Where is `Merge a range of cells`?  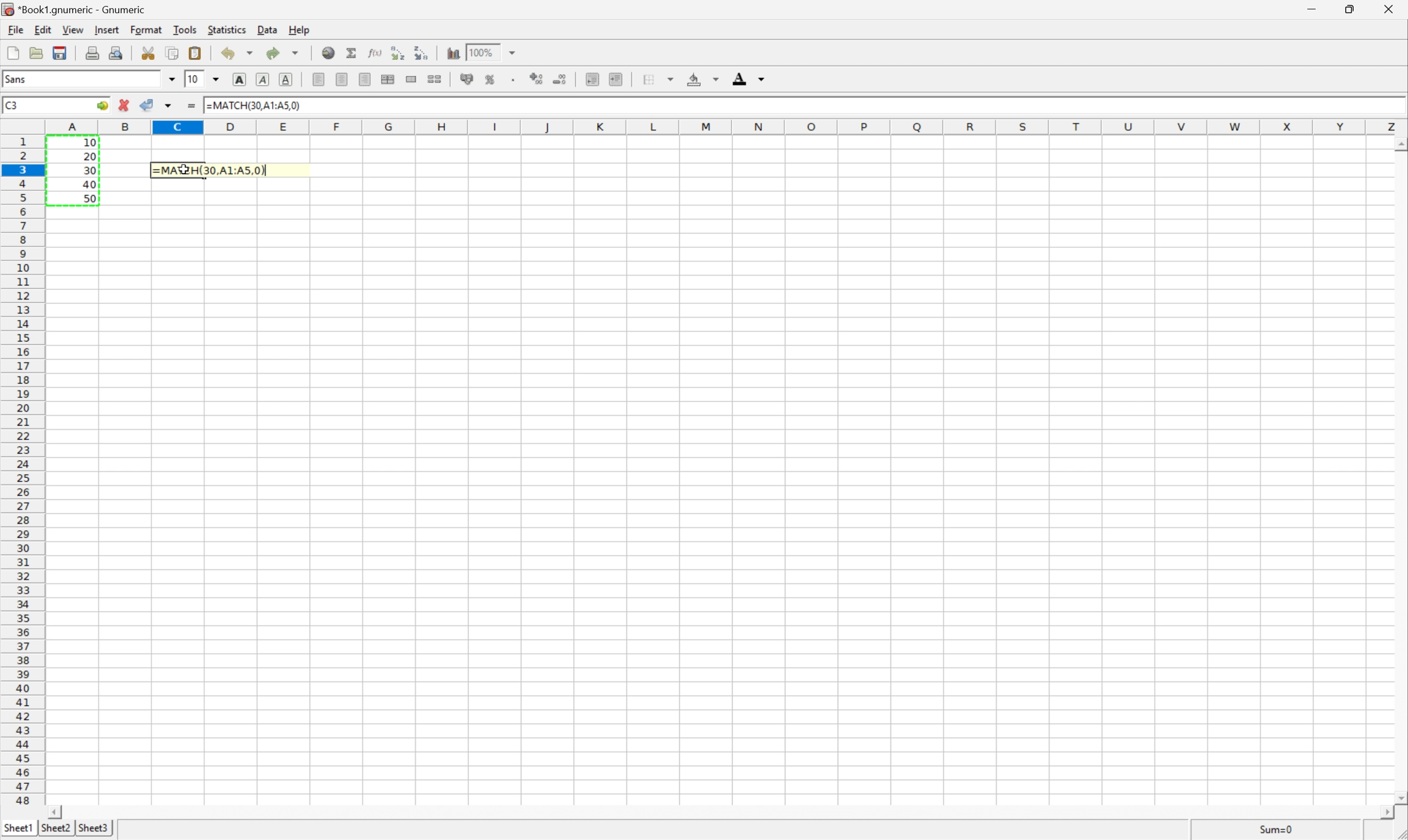
Merge a range of cells is located at coordinates (411, 80).